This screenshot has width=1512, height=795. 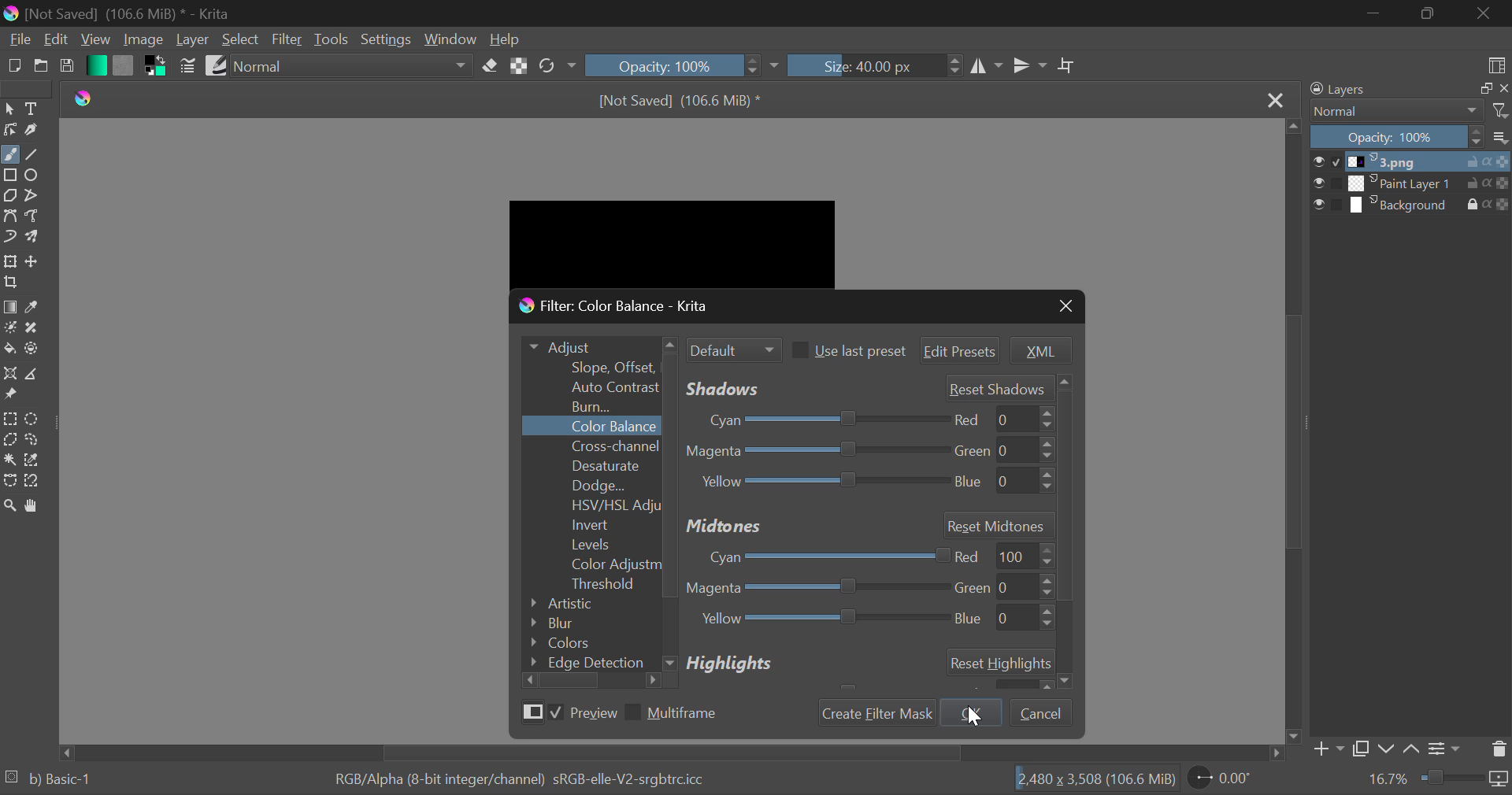 I want to click on Yellow Blue Adjustment Slider, so click(x=817, y=621).